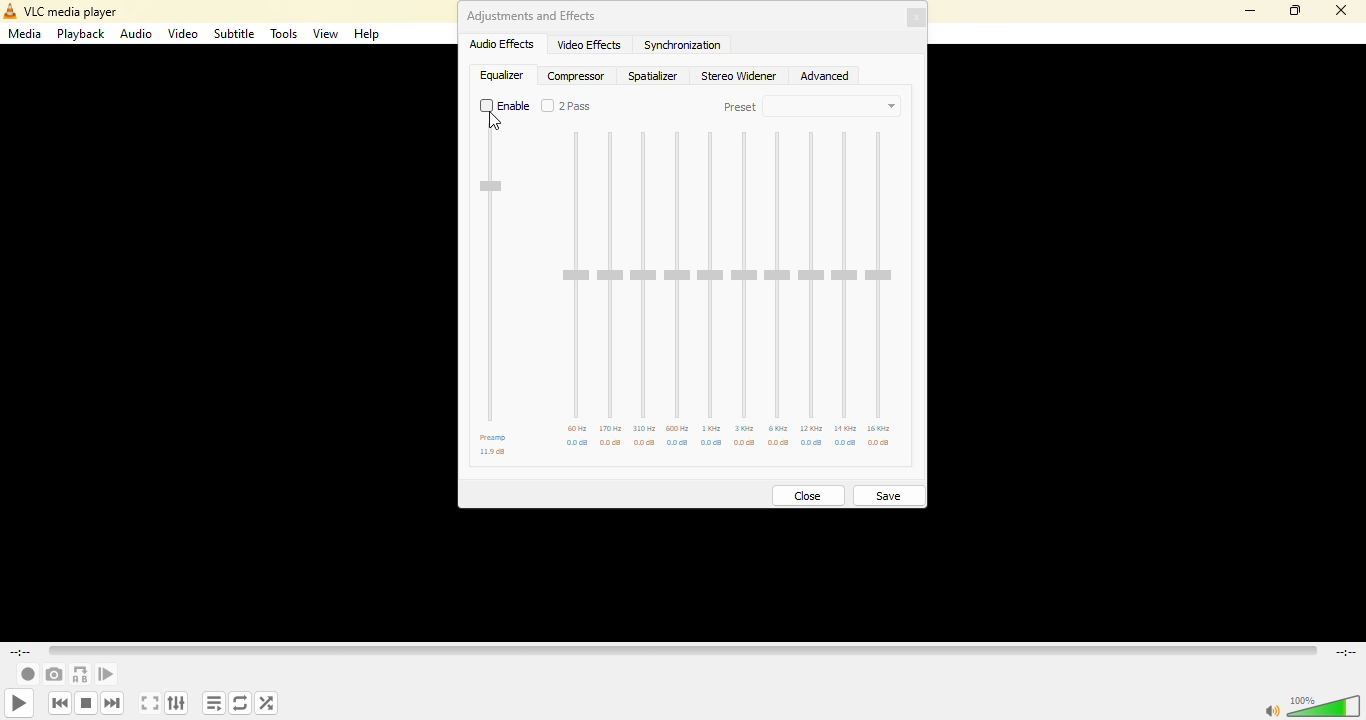 This screenshot has height=720, width=1366. Describe the element at coordinates (680, 444) in the screenshot. I see `db` at that location.